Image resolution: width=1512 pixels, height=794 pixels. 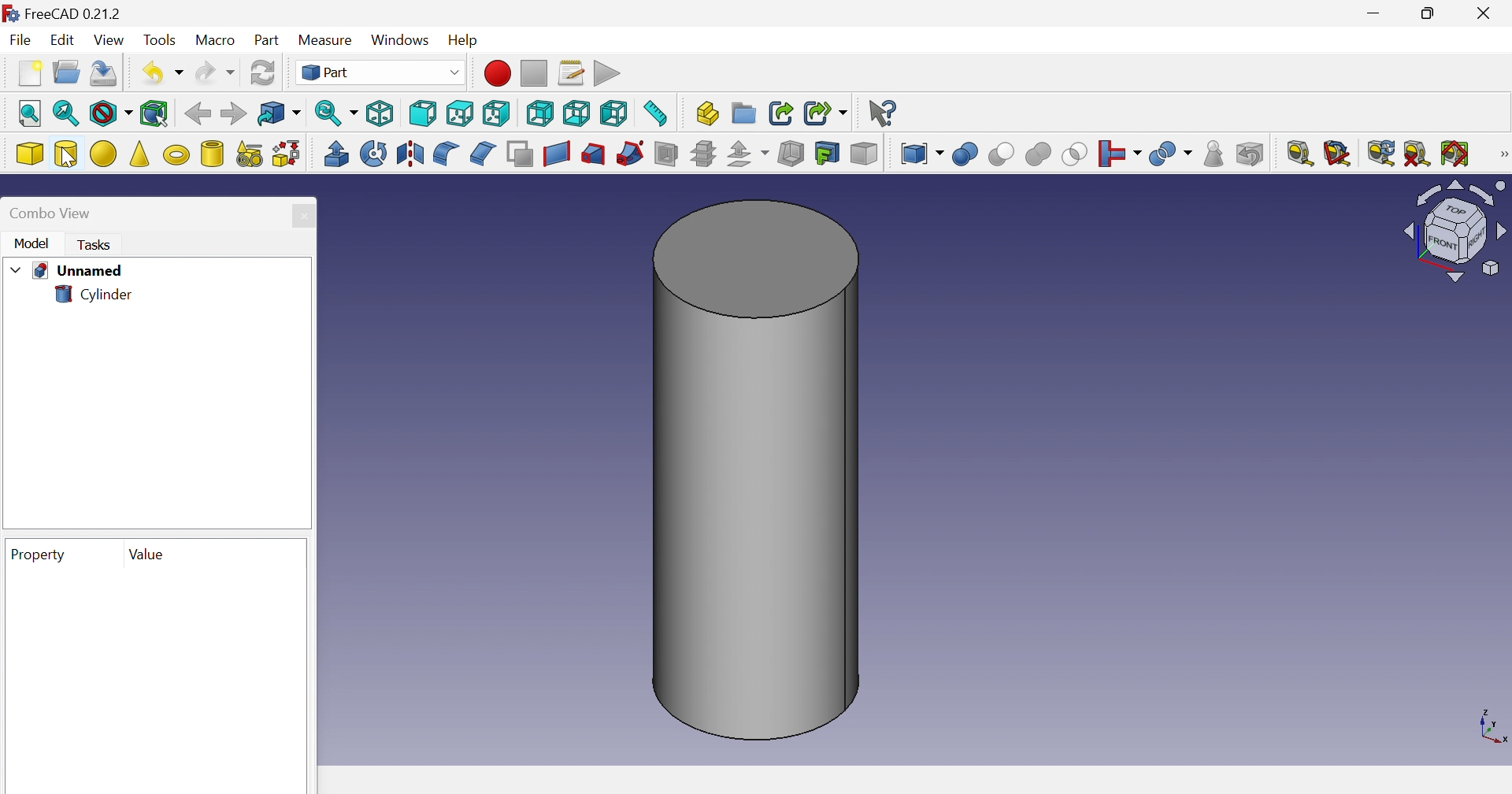 What do you see at coordinates (302, 216) in the screenshot?
I see `Close` at bounding box center [302, 216].